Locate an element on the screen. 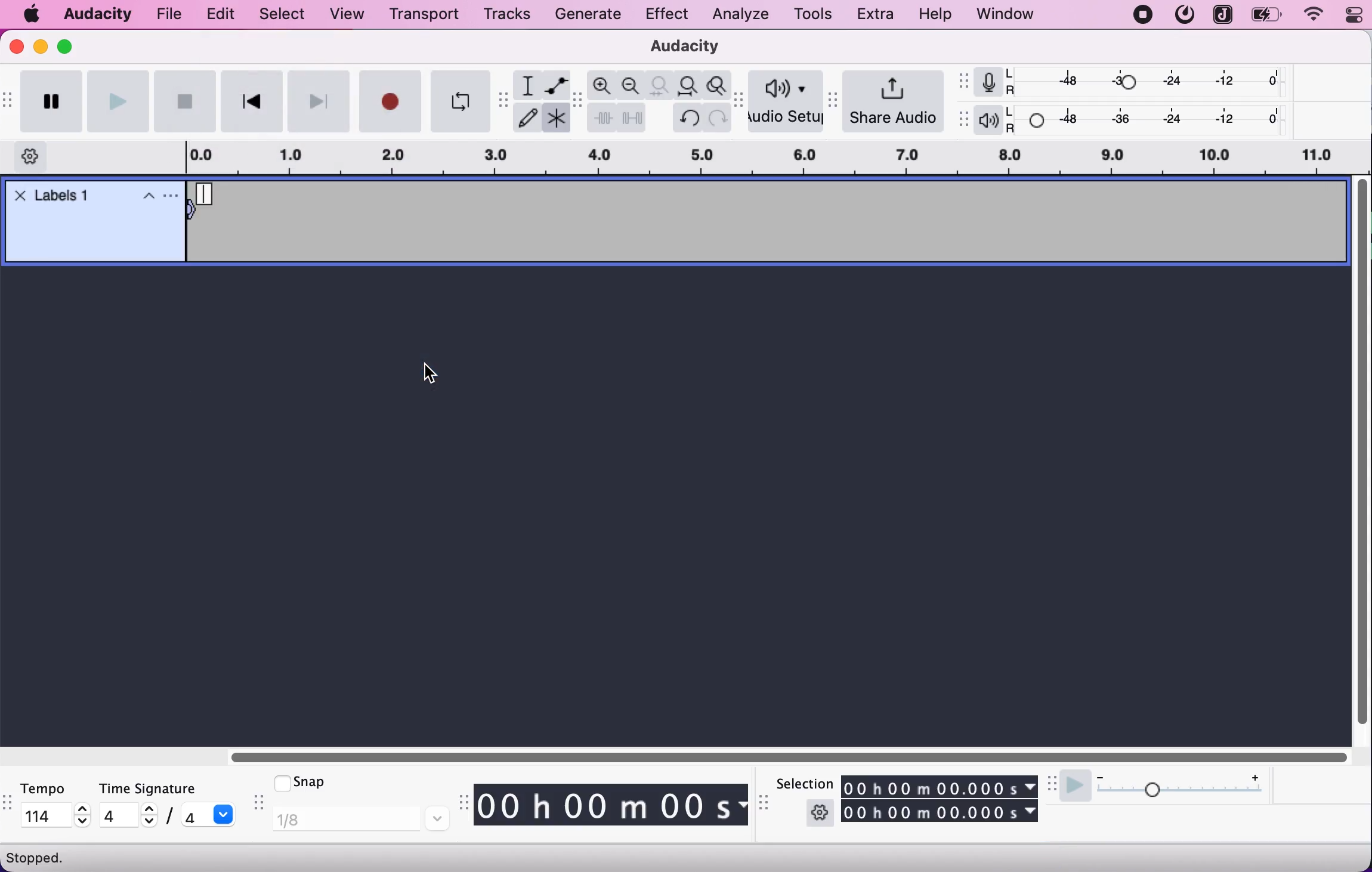 This screenshot has height=872, width=1372. track label added is located at coordinates (63, 194).